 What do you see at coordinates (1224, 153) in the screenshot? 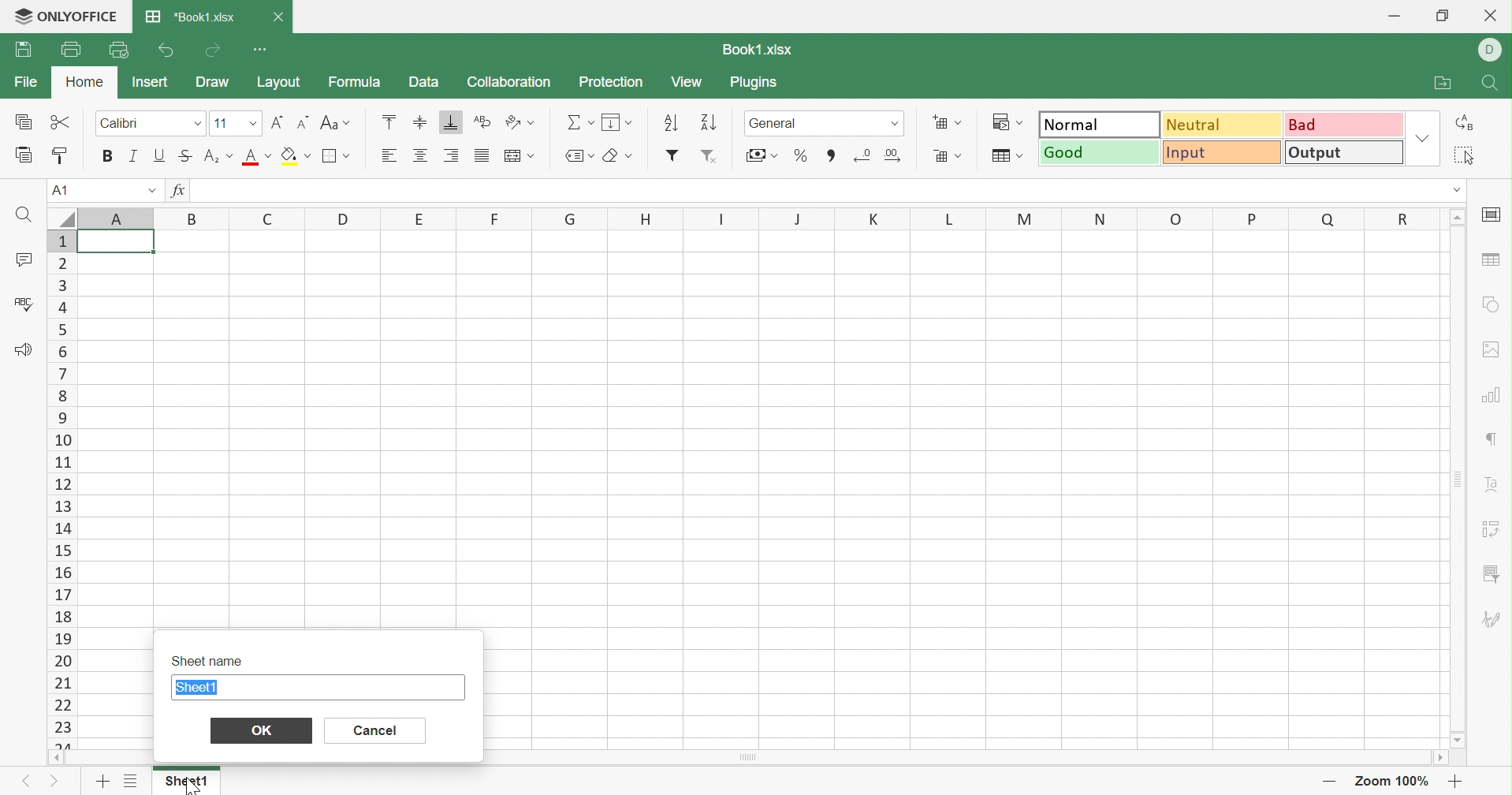
I see `Input` at bounding box center [1224, 153].